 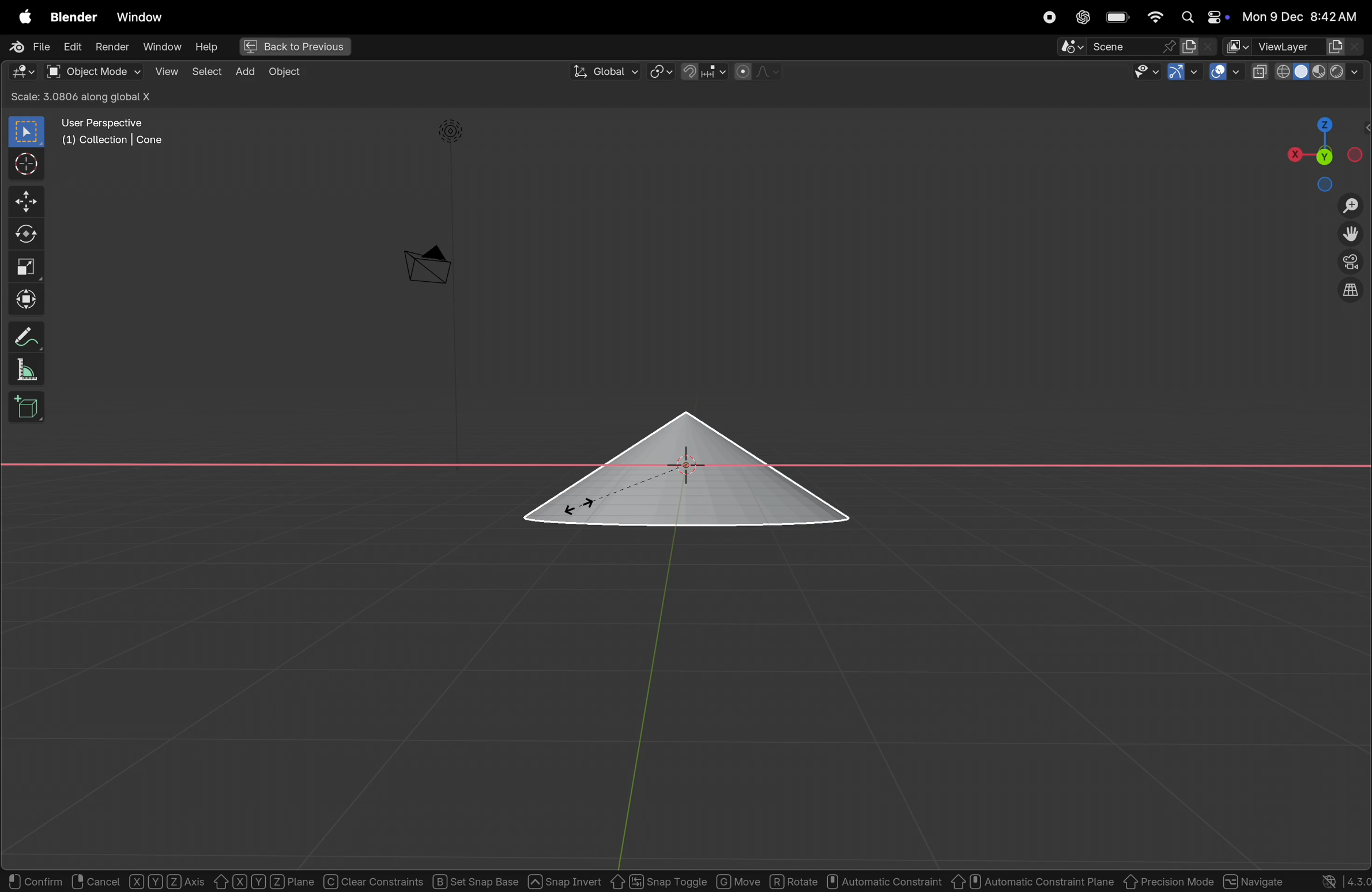 What do you see at coordinates (1335, 880) in the screenshot?
I see `version` at bounding box center [1335, 880].